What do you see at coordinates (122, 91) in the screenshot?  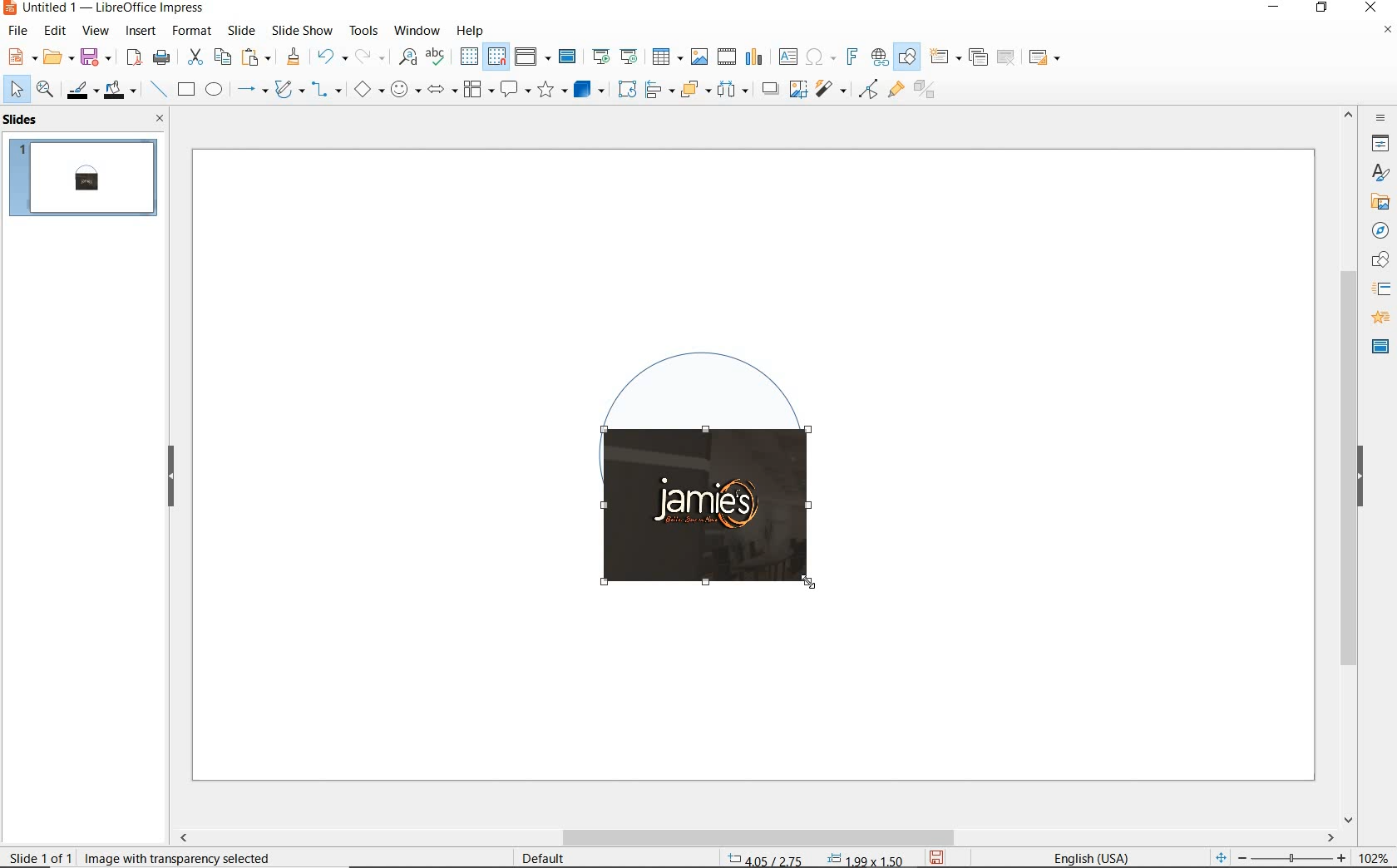 I see `fill color` at bounding box center [122, 91].